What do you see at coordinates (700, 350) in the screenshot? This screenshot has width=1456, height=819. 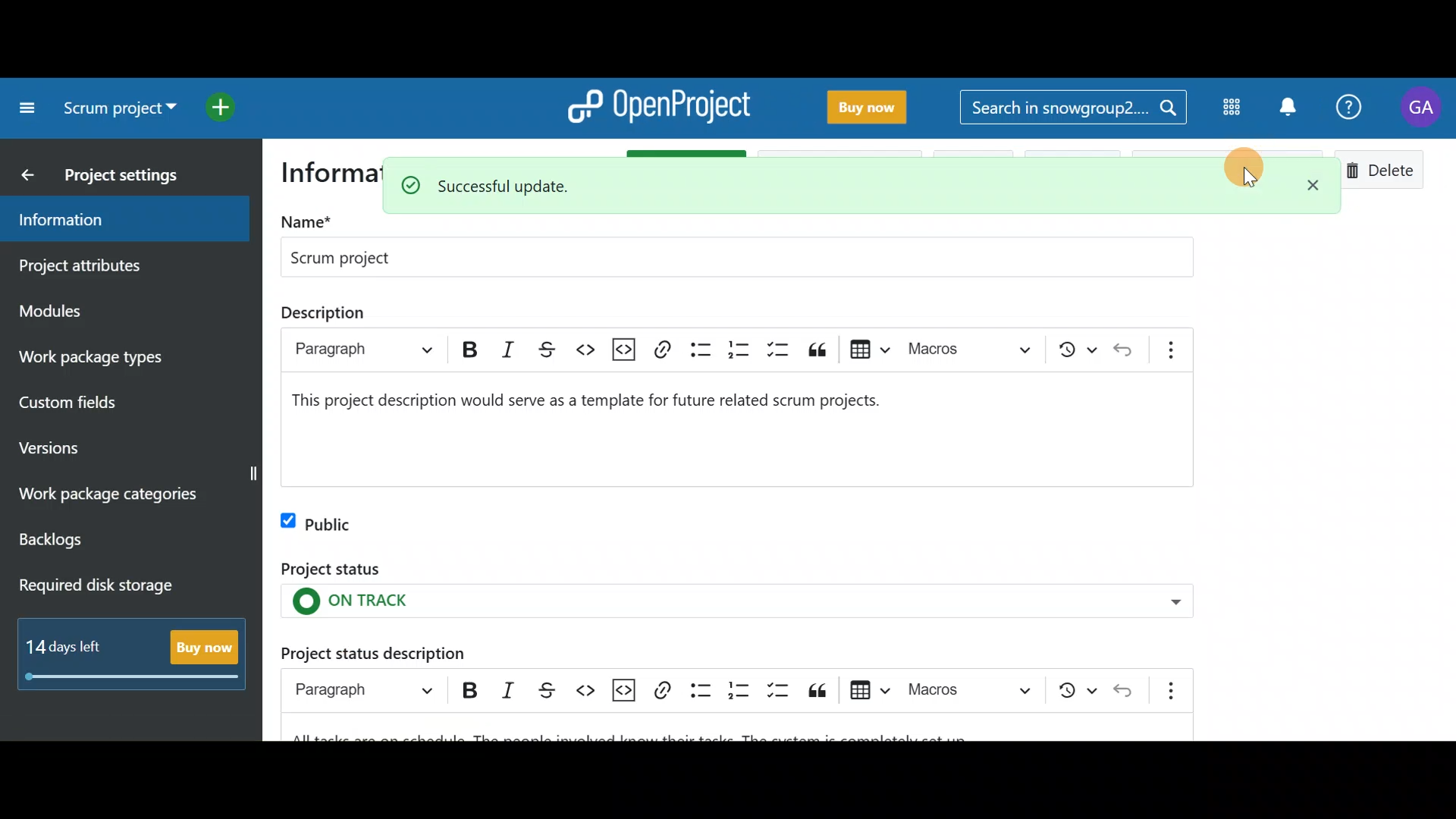 I see `bulleted list` at bounding box center [700, 350].